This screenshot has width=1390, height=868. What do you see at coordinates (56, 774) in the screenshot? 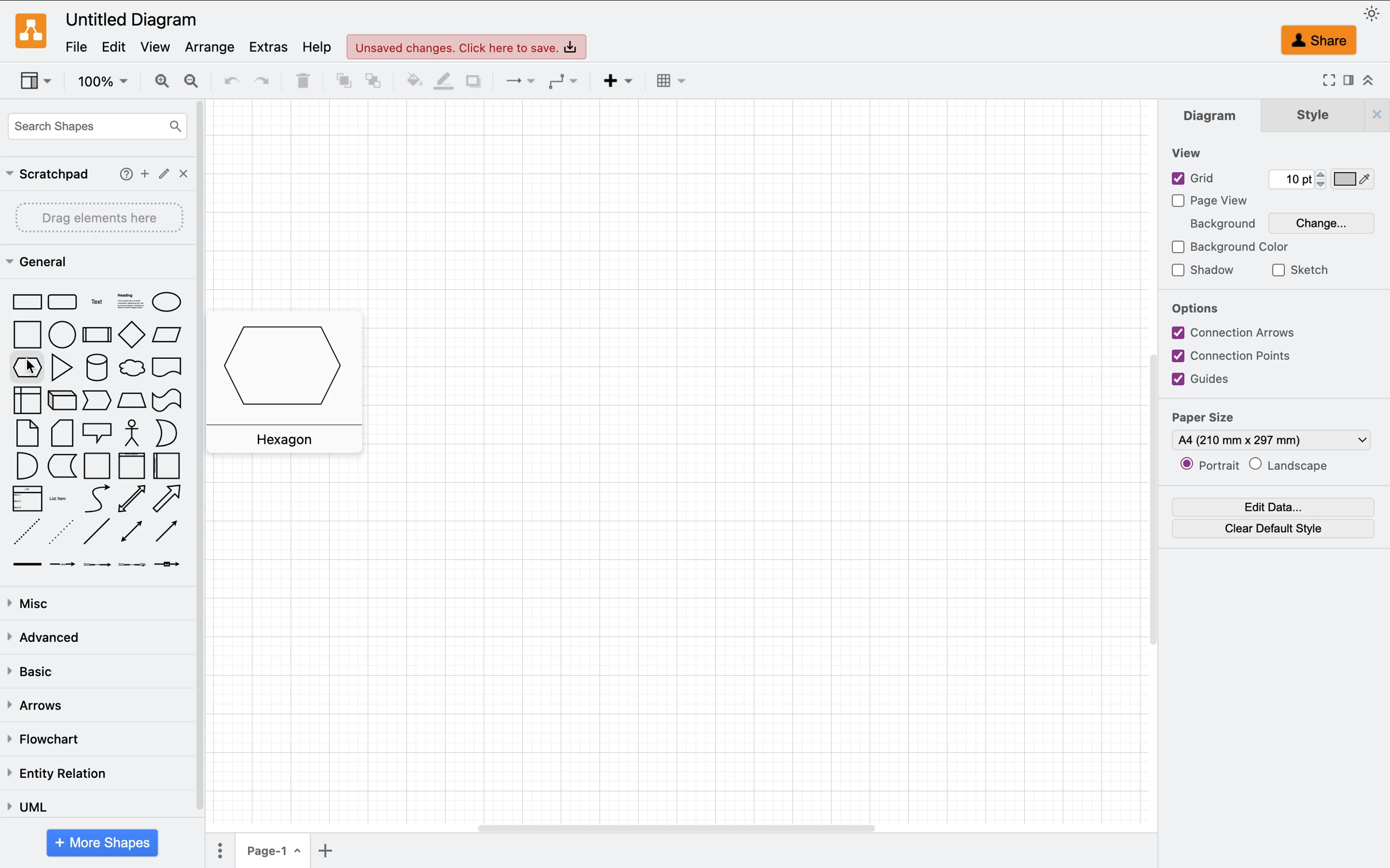
I see `entity relation` at bounding box center [56, 774].